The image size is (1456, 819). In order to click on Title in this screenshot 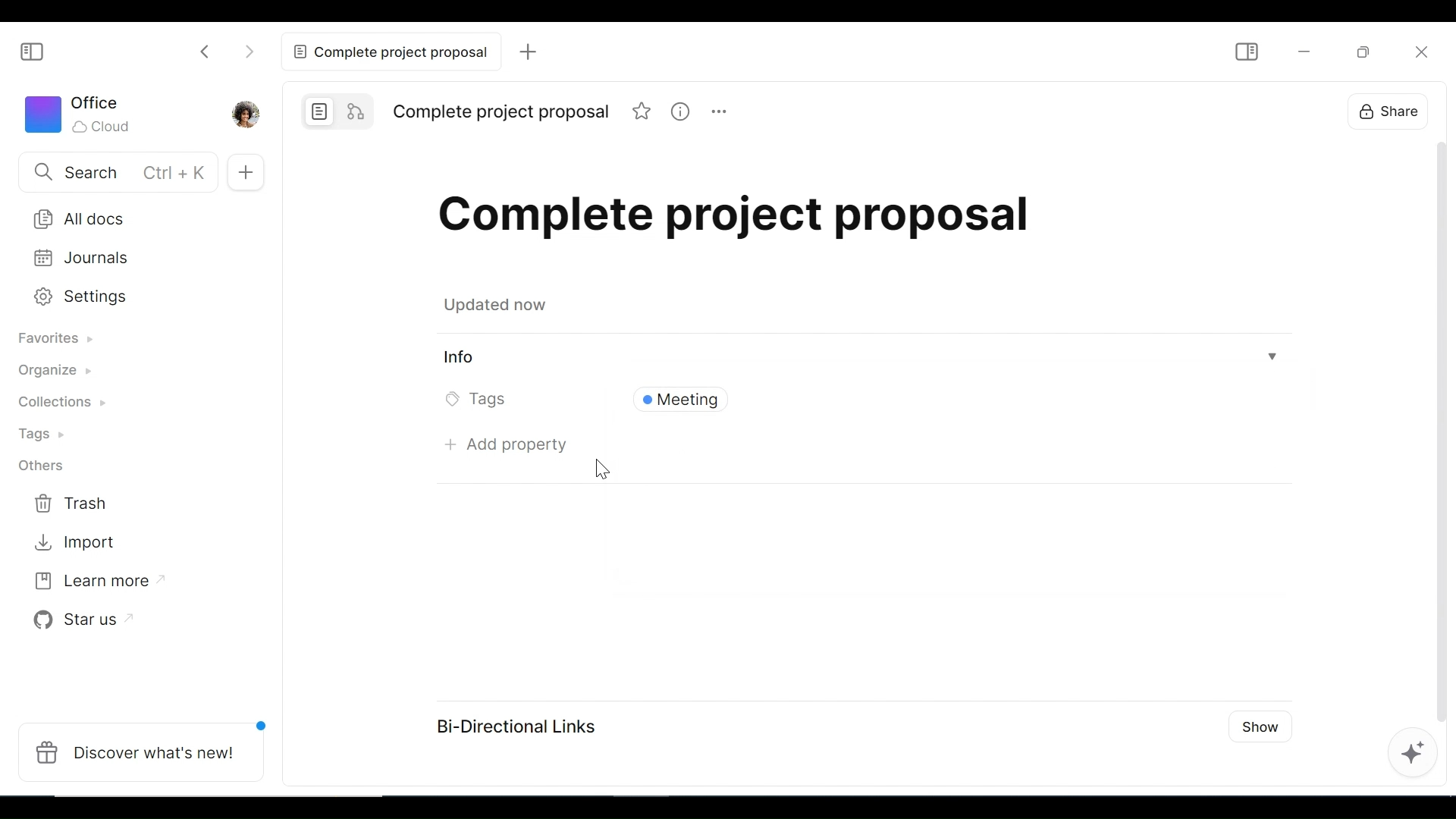, I will do `click(736, 214)`.